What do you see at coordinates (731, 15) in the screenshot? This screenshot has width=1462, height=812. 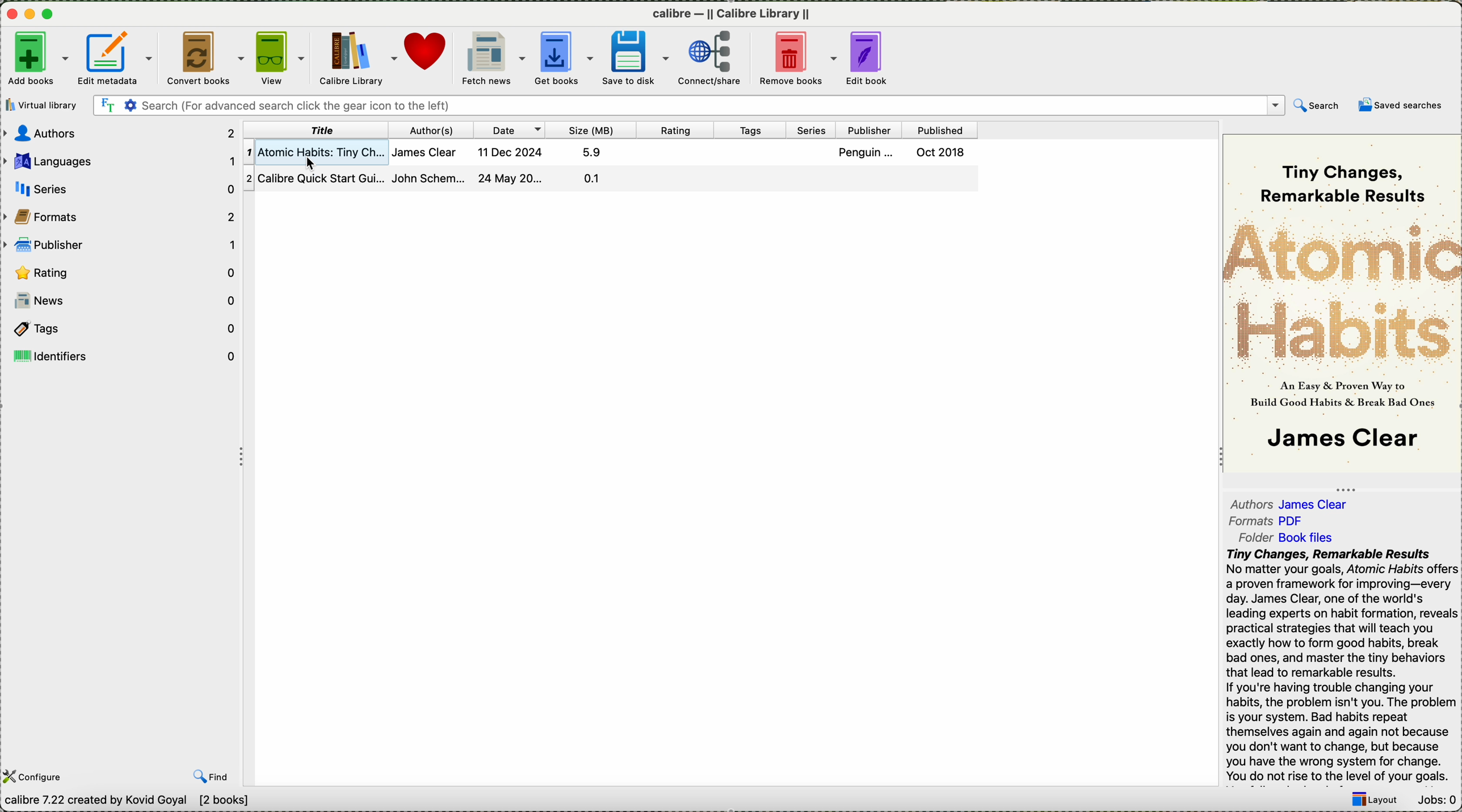 I see `calibre` at bounding box center [731, 15].